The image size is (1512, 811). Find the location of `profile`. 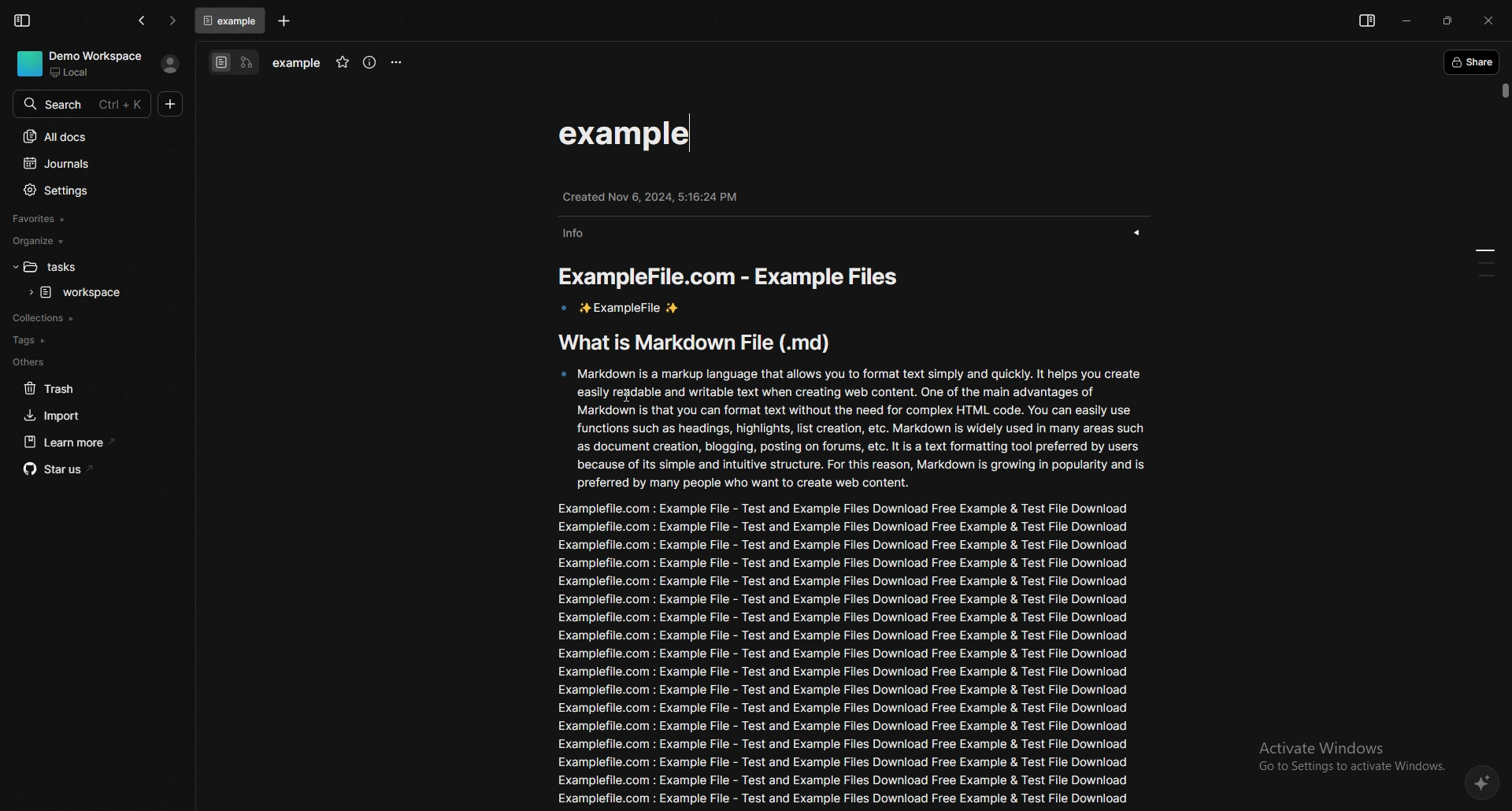

profile is located at coordinates (170, 64).